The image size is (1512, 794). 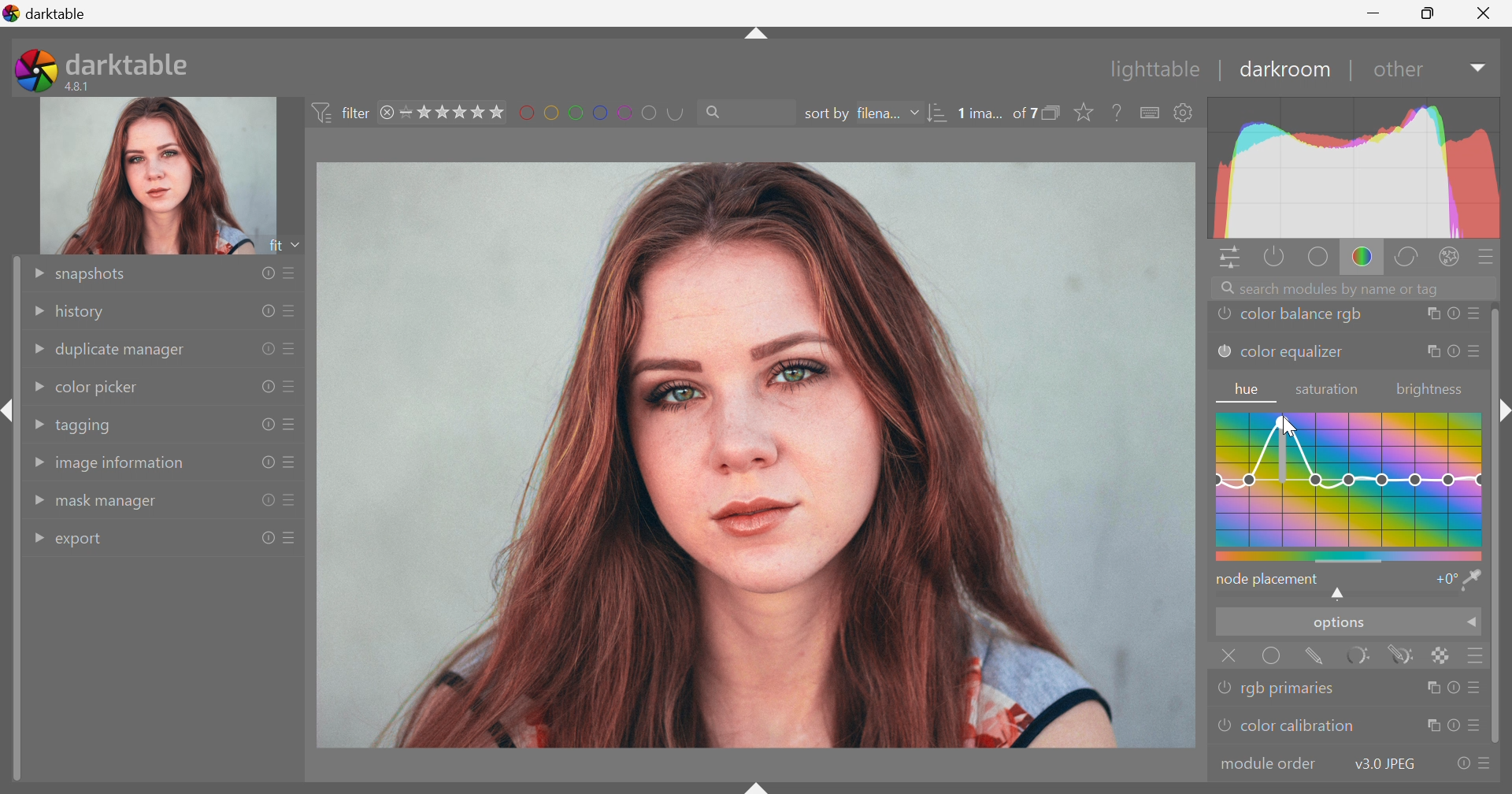 I want to click on darktable icon, so click(x=32, y=70).